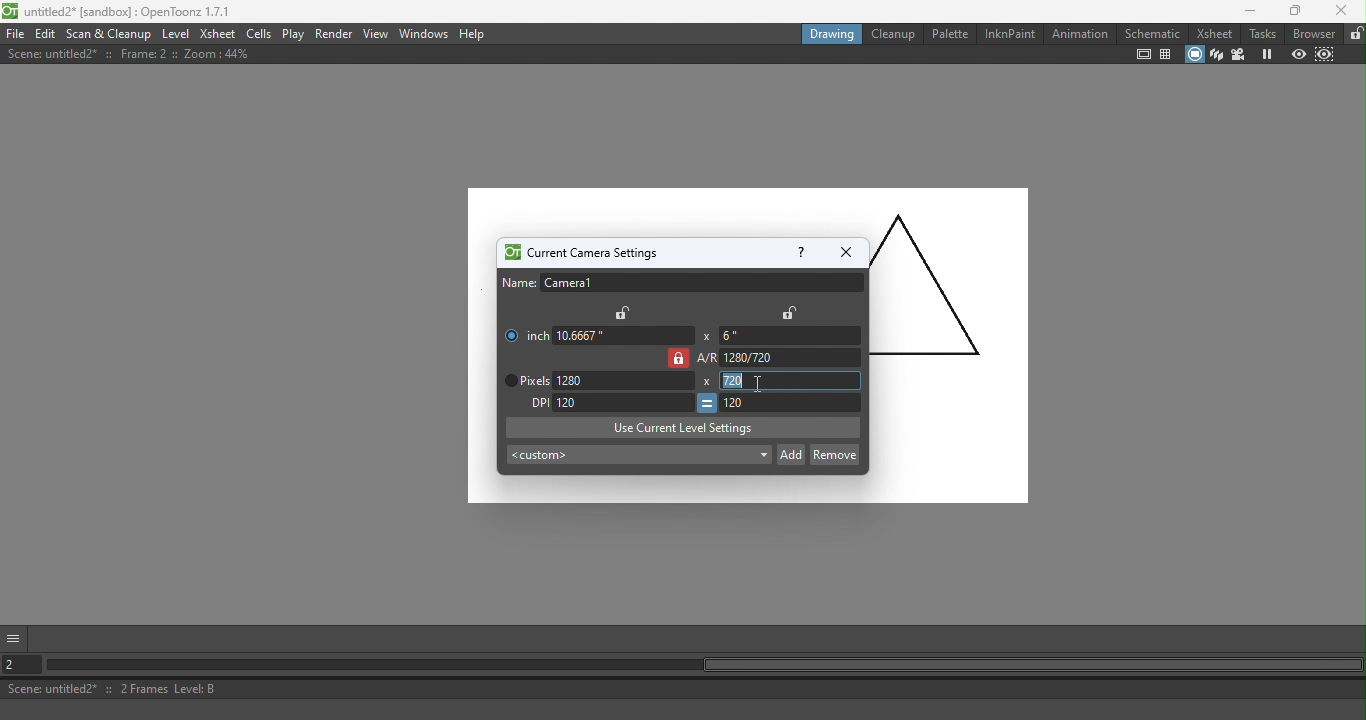 This screenshot has width=1366, height=720. Describe the element at coordinates (129, 54) in the screenshot. I see `Scene: untitled2* : Frame: 2 i: Zoom: 44%` at that location.